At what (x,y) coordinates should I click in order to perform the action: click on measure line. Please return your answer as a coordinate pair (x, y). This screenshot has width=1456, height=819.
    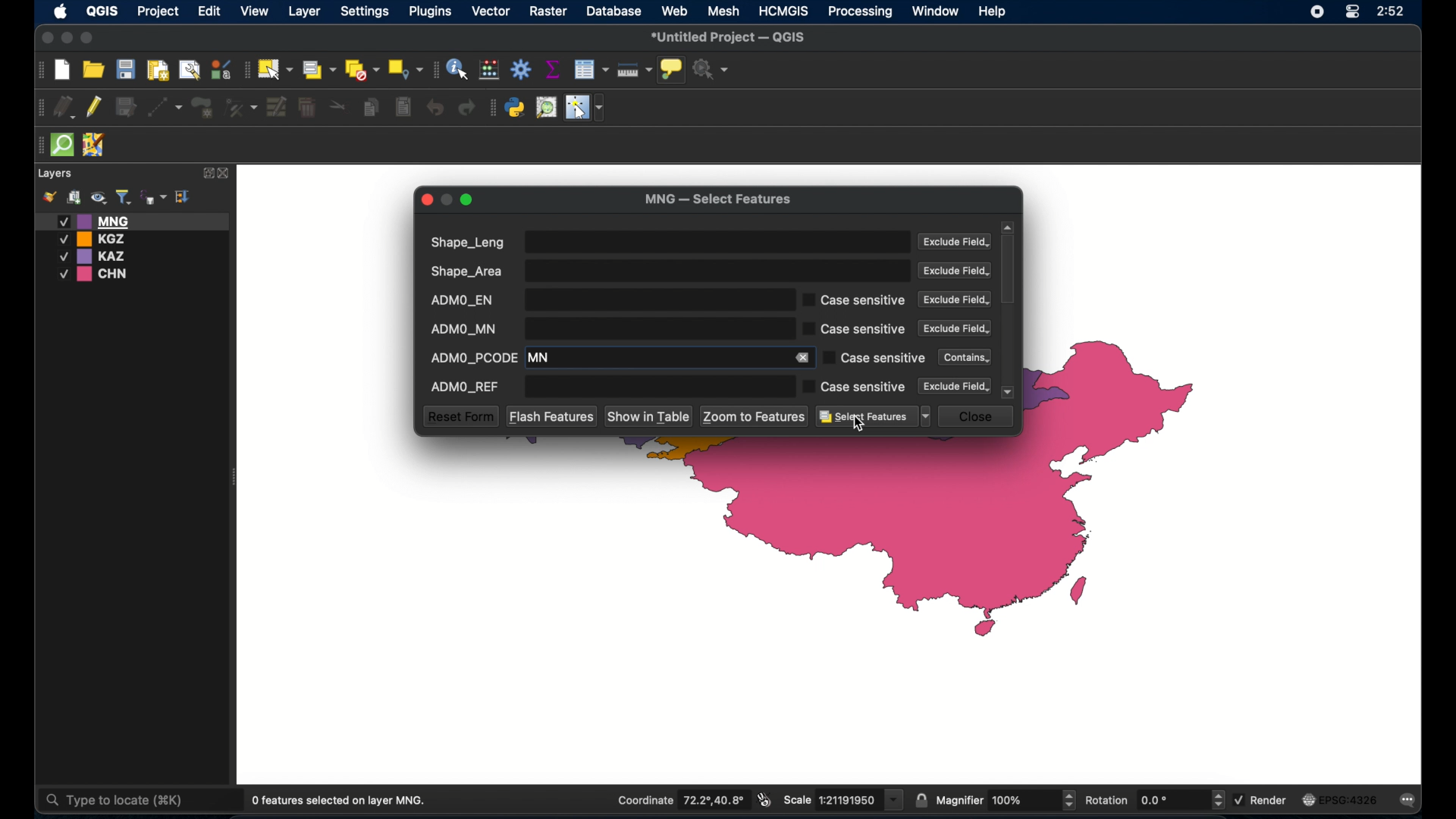
    Looking at the image, I should click on (635, 70).